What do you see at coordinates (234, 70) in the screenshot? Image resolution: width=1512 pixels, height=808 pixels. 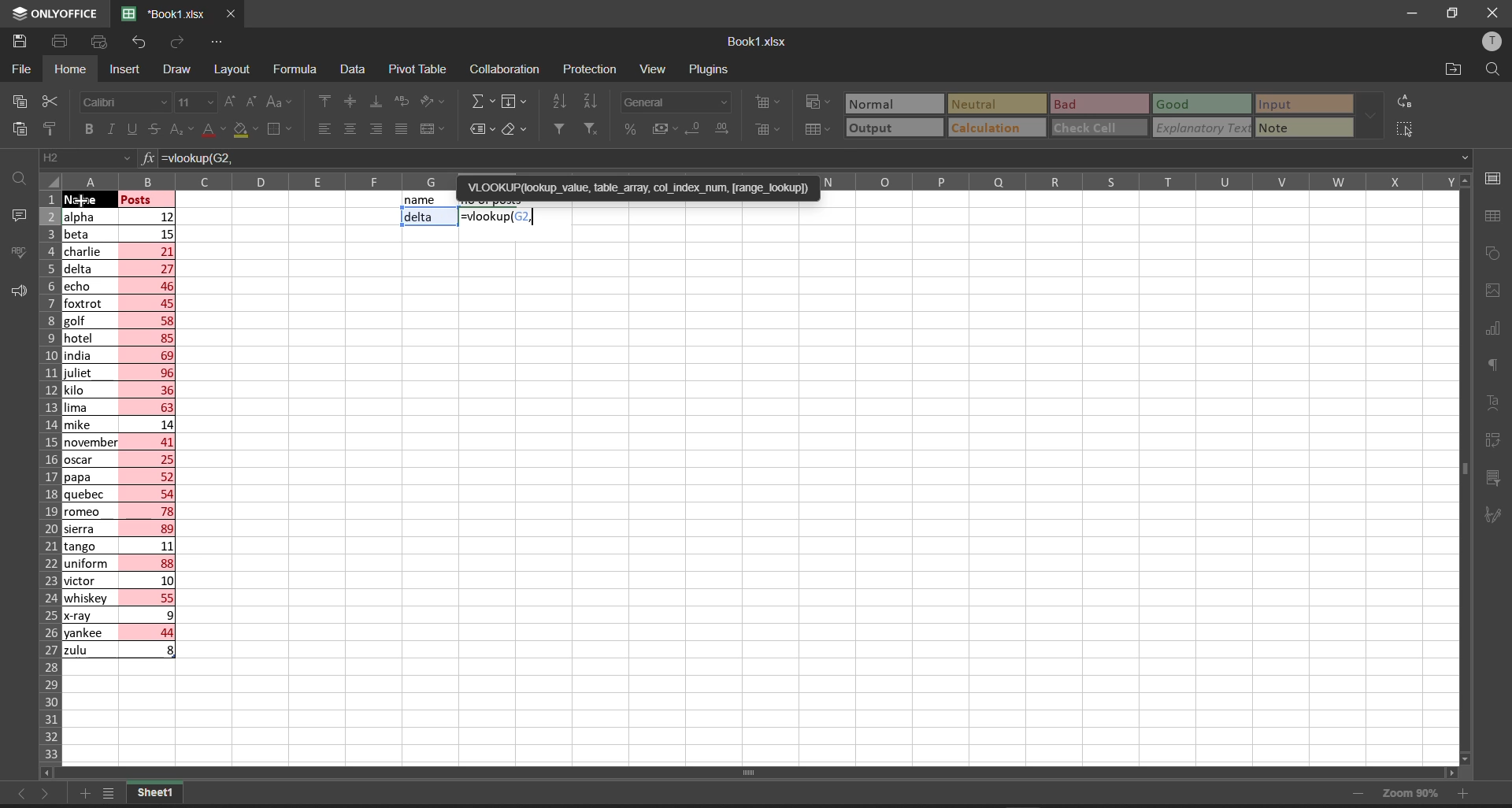 I see `layout` at bounding box center [234, 70].